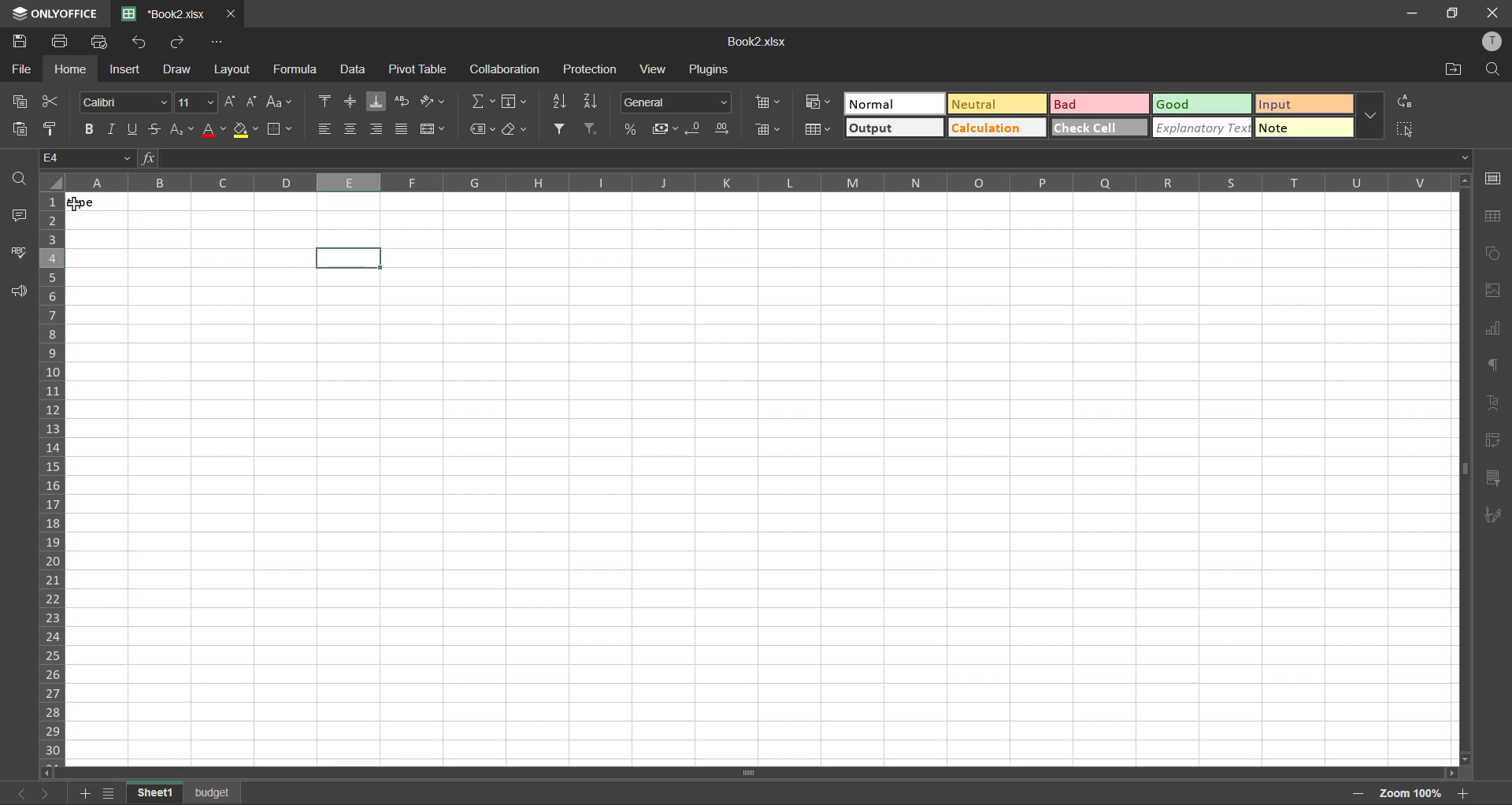  I want to click on previous, so click(22, 793).